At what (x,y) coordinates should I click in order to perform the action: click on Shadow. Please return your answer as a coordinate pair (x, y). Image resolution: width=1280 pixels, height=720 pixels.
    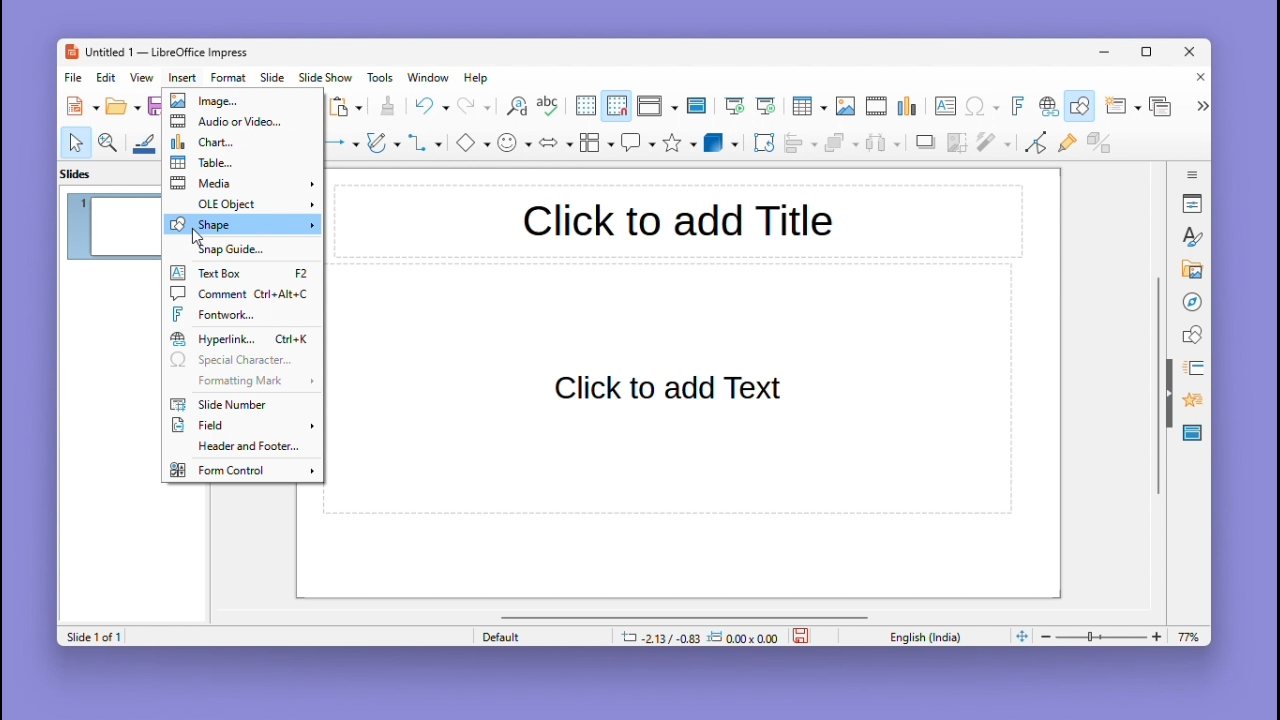
    Looking at the image, I should click on (926, 146).